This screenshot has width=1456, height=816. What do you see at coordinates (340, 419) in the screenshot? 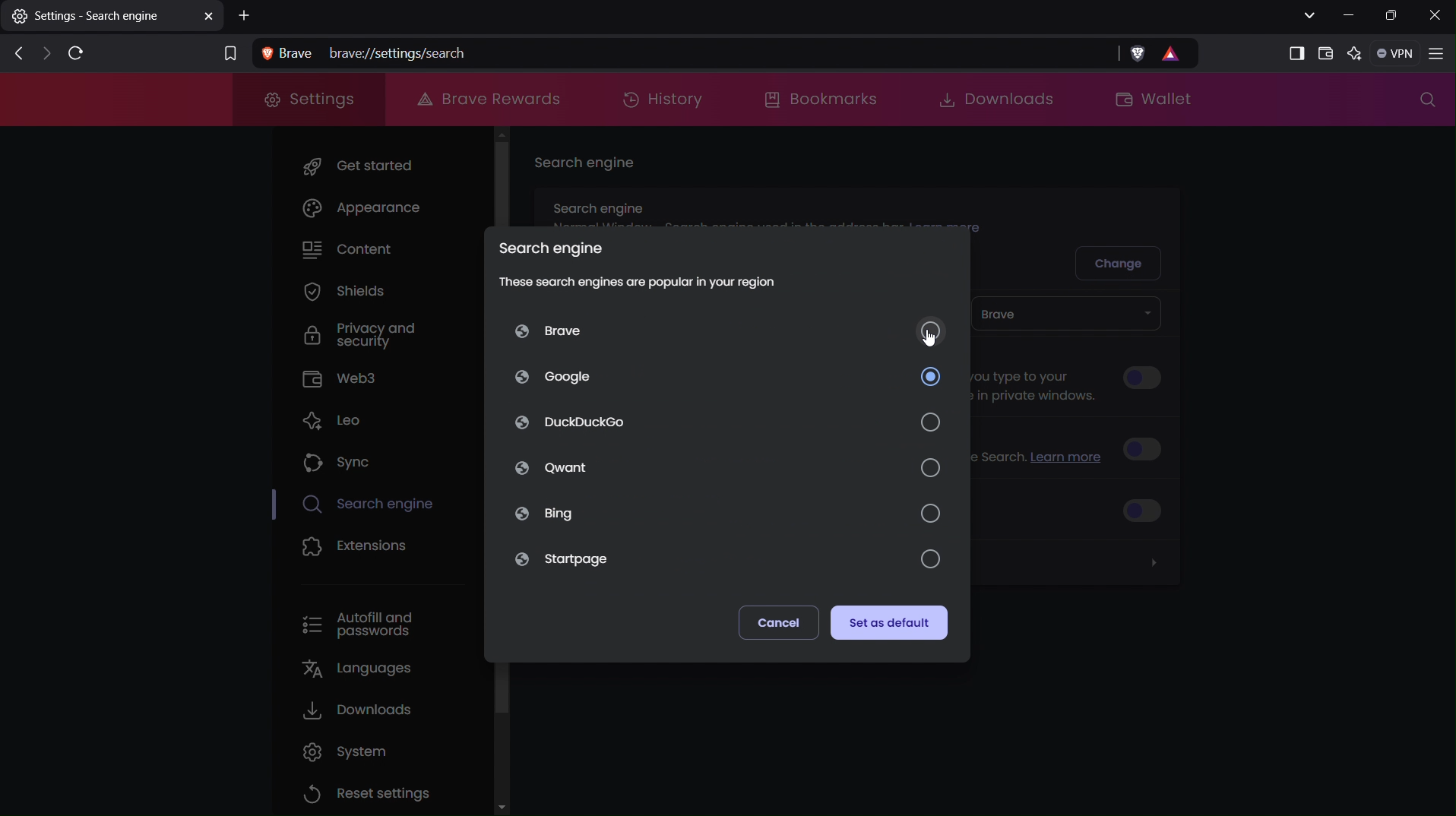
I see `Leo` at bounding box center [340, 419].